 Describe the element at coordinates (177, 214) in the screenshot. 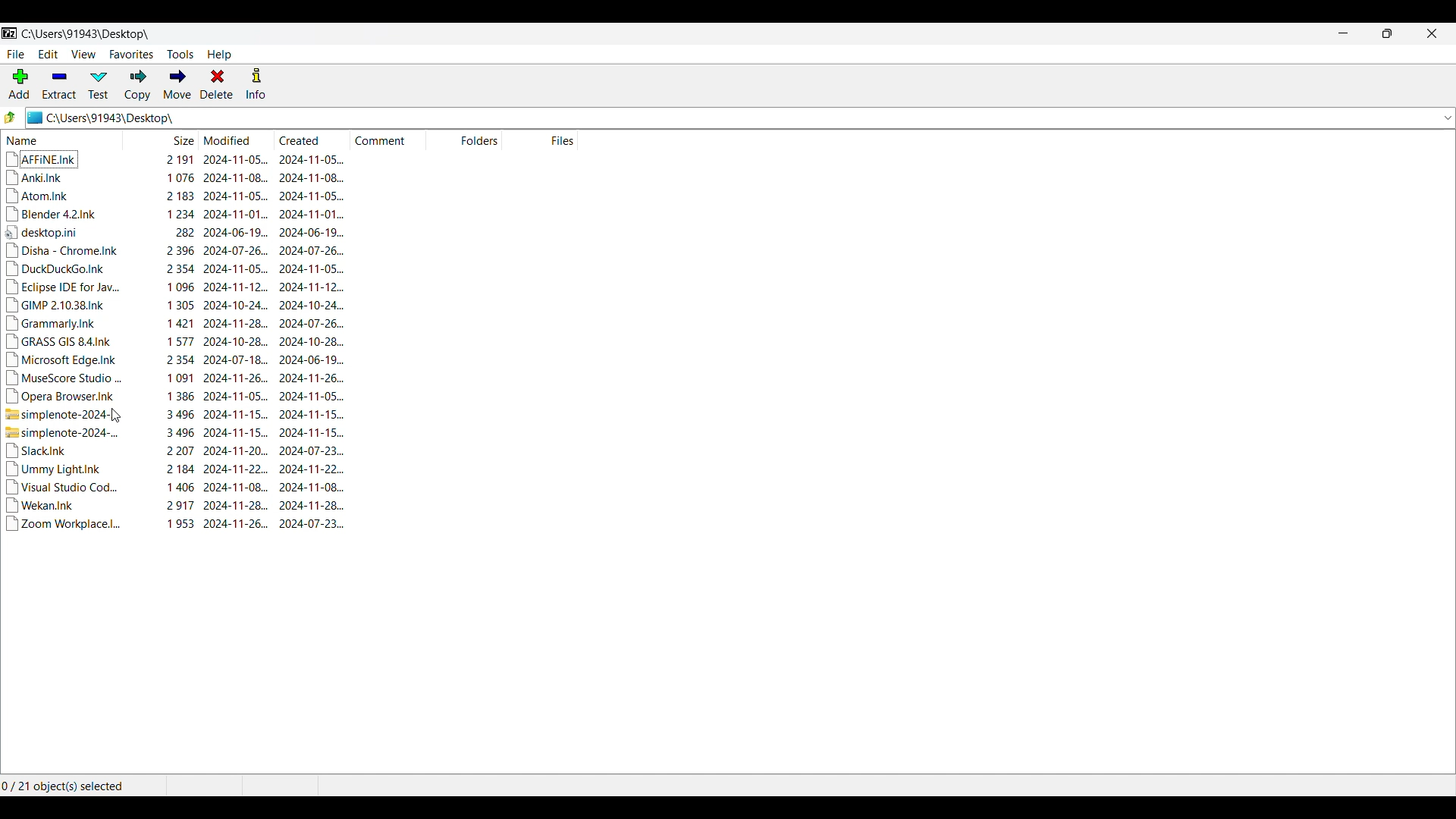

I see `Blender 4.2.Ink 1234 2024-11-01... 2024-11-01...` at that location.